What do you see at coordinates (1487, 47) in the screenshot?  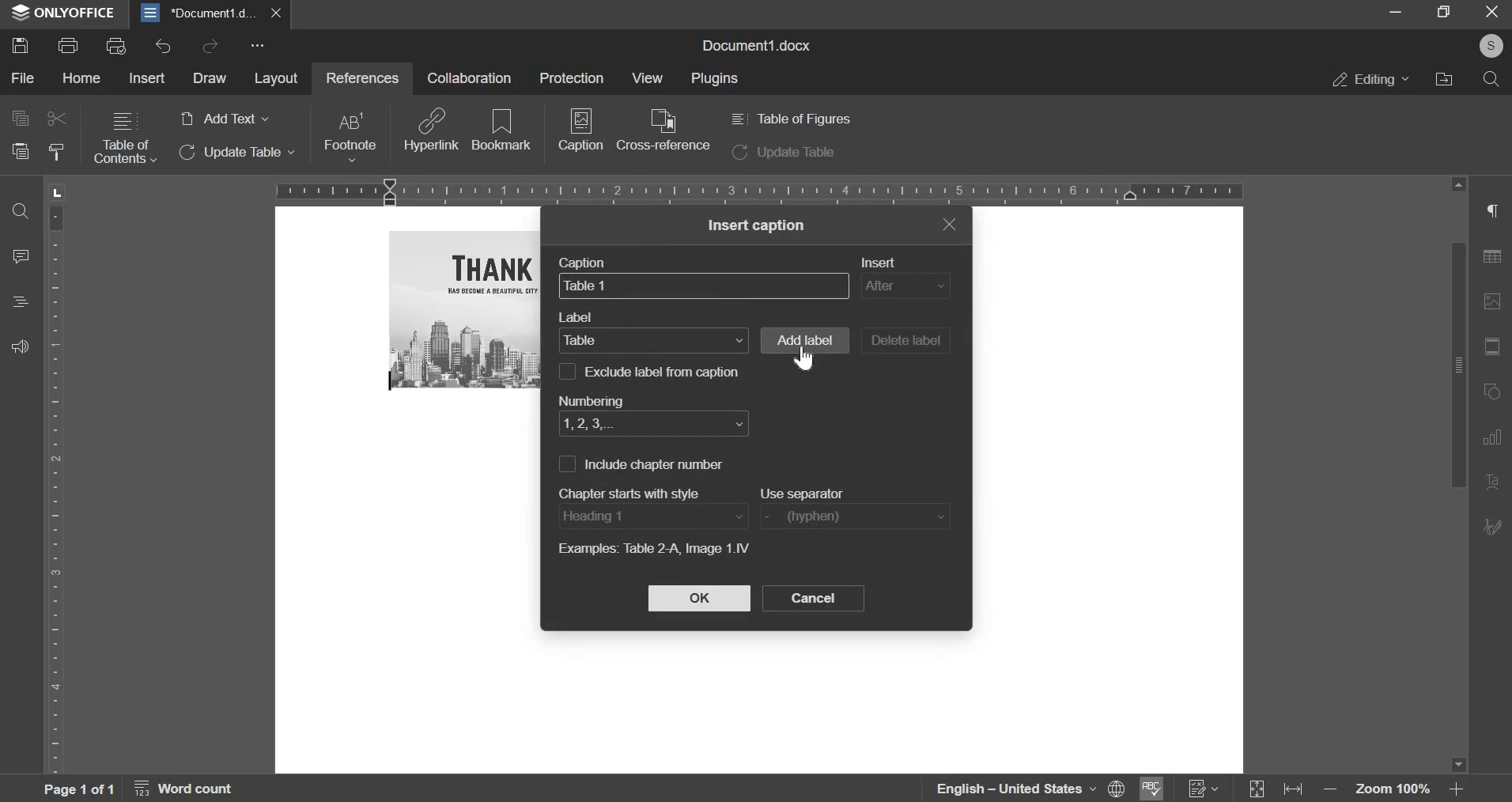 I see `profile` at bounding box center [1487, 47].